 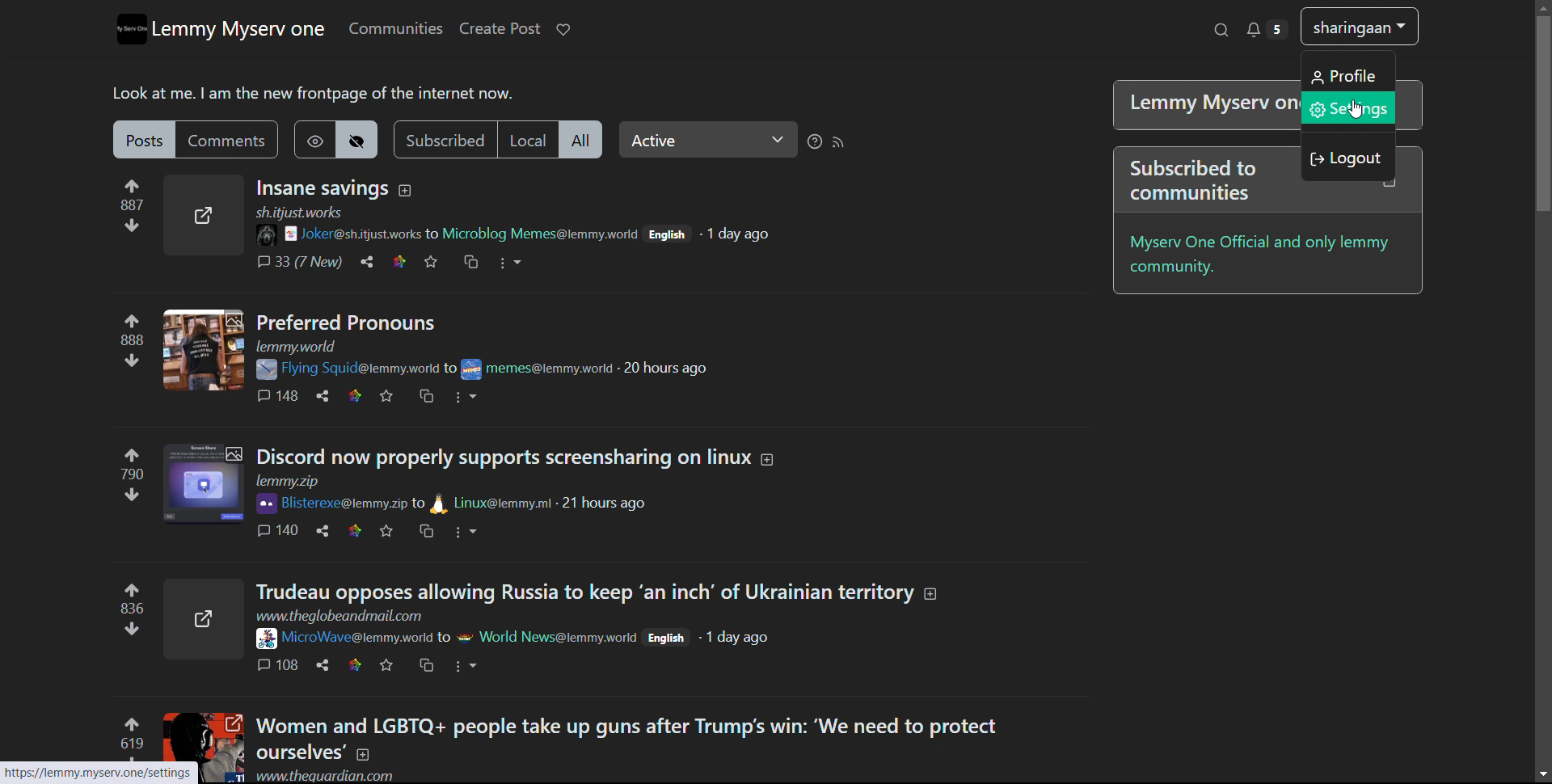 What do you see at coordinates (329, 777) in the screenshot?
I see `www.theguardian.com` at bounding box center [329, 777].